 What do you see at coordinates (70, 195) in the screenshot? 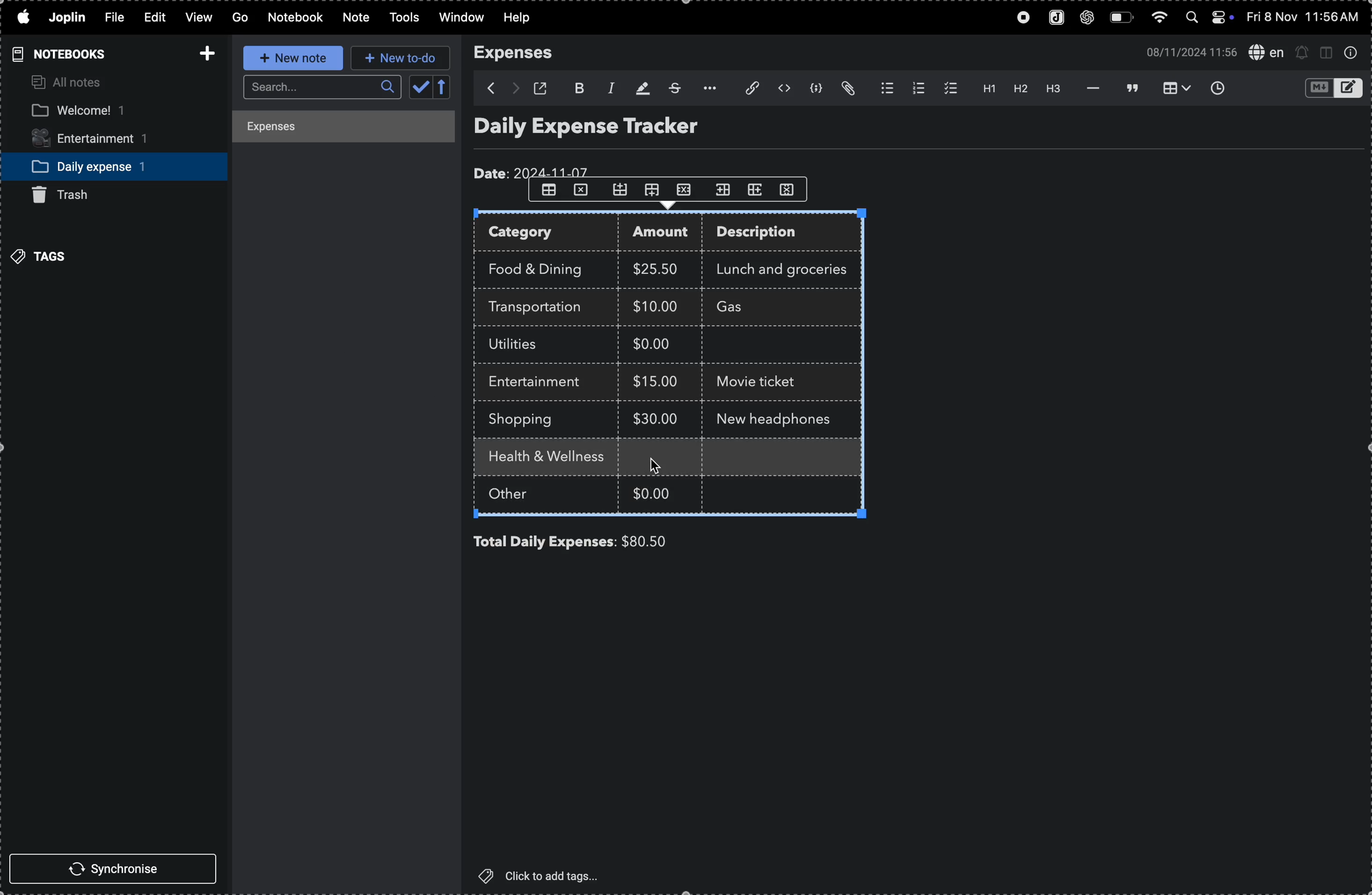
I see `trash` at bounding box center [70, 195].